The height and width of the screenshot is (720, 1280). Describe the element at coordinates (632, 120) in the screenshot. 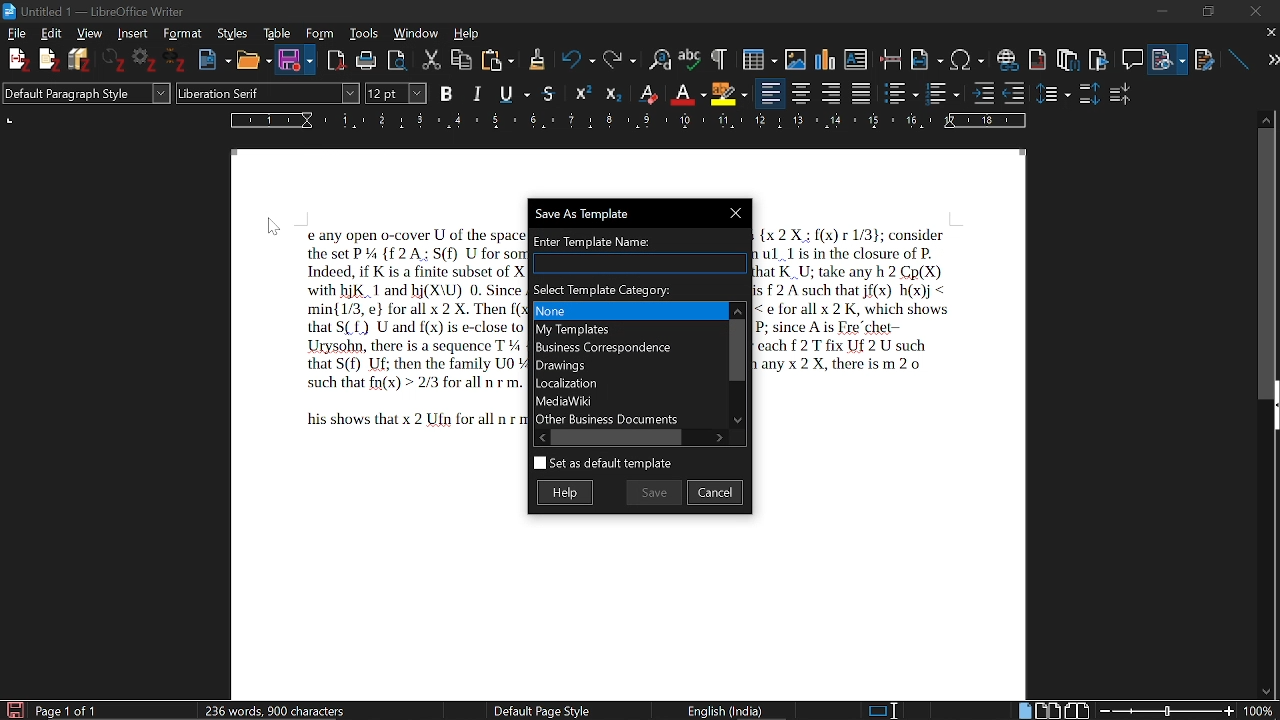

I see `Ruler` at that location.